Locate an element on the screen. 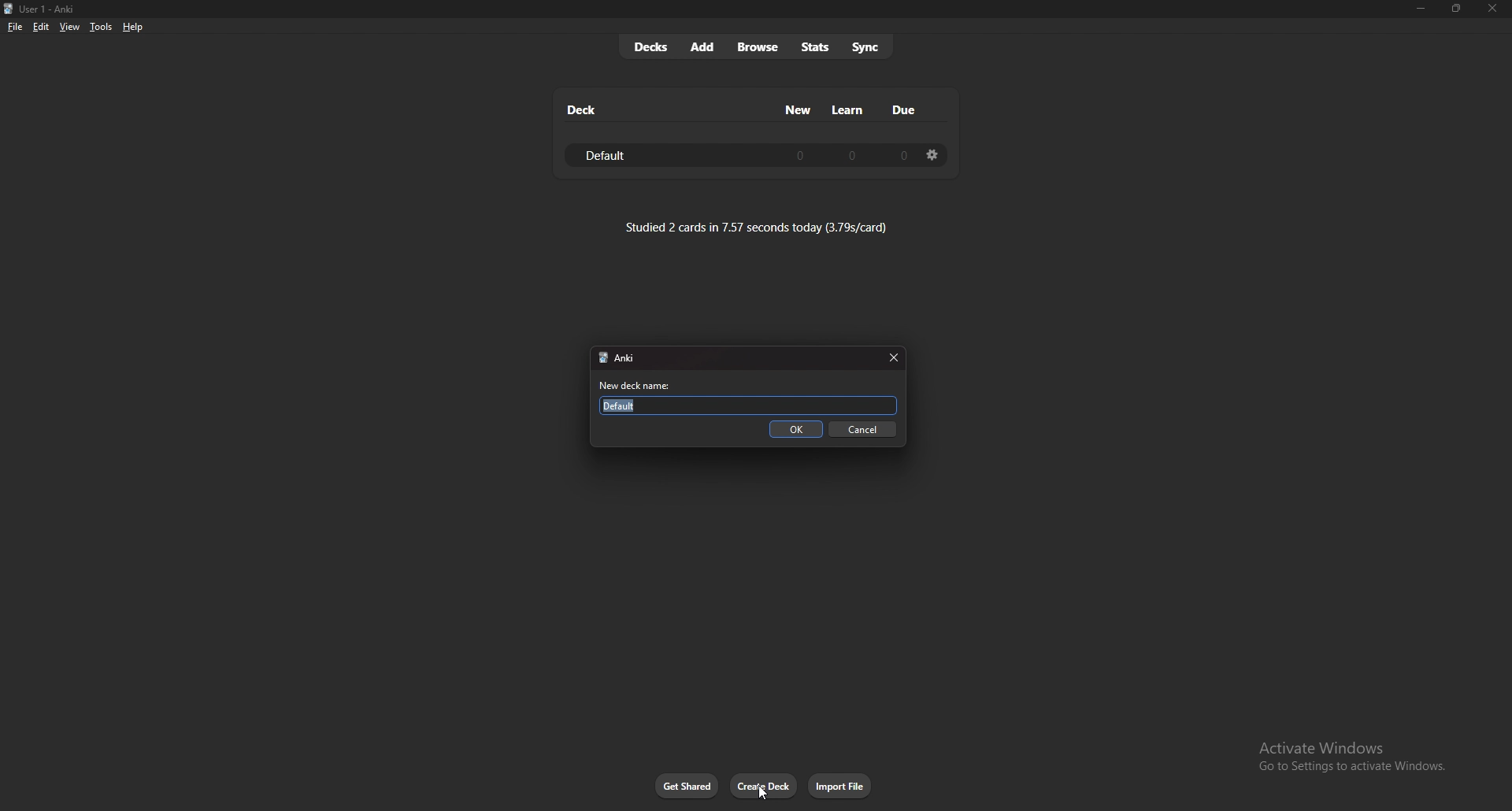 This screenshot has height=811, width=1512. new is located at coordinates (799, 109).